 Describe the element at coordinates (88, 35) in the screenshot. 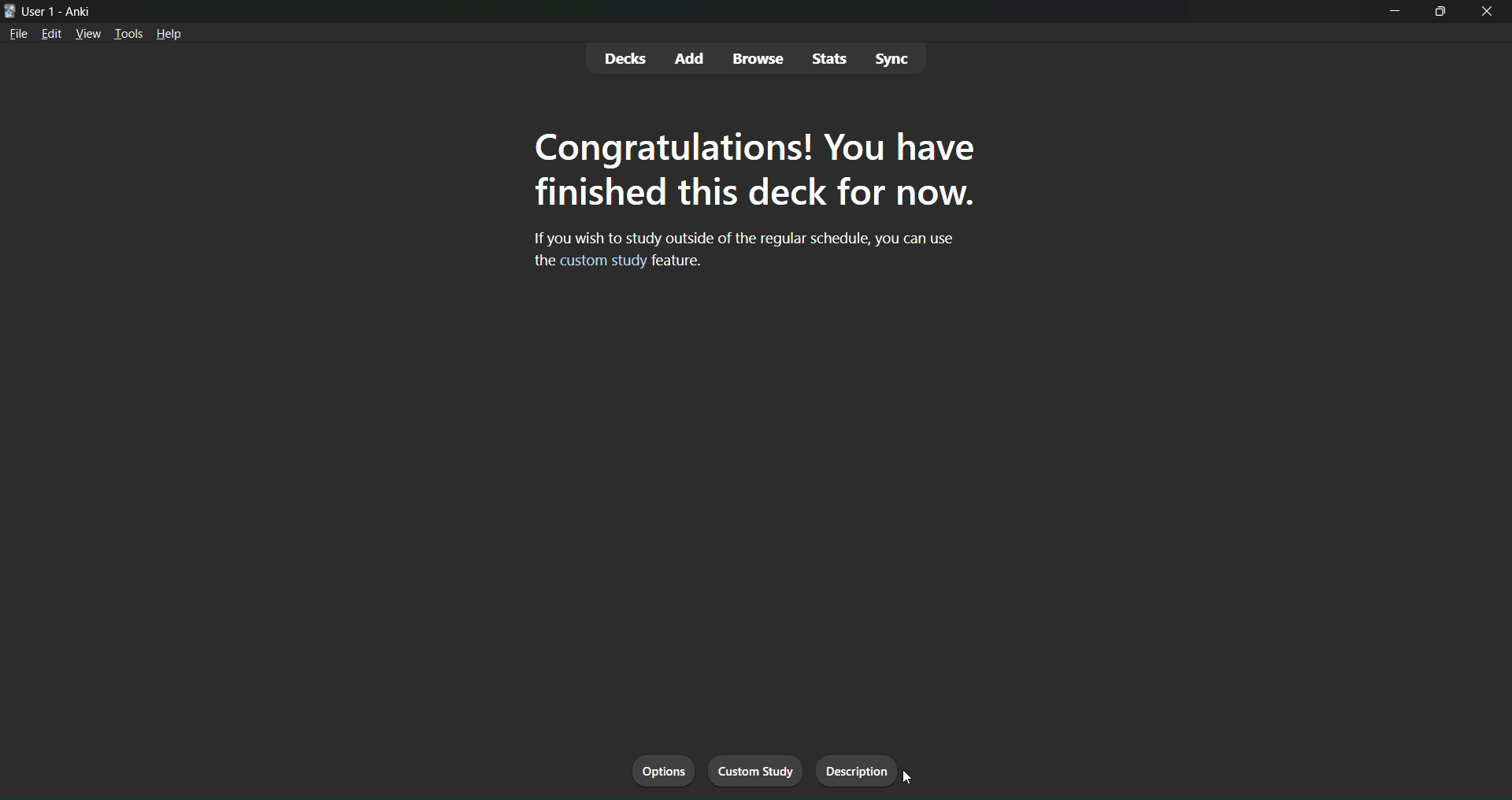

I see `view` at that location.